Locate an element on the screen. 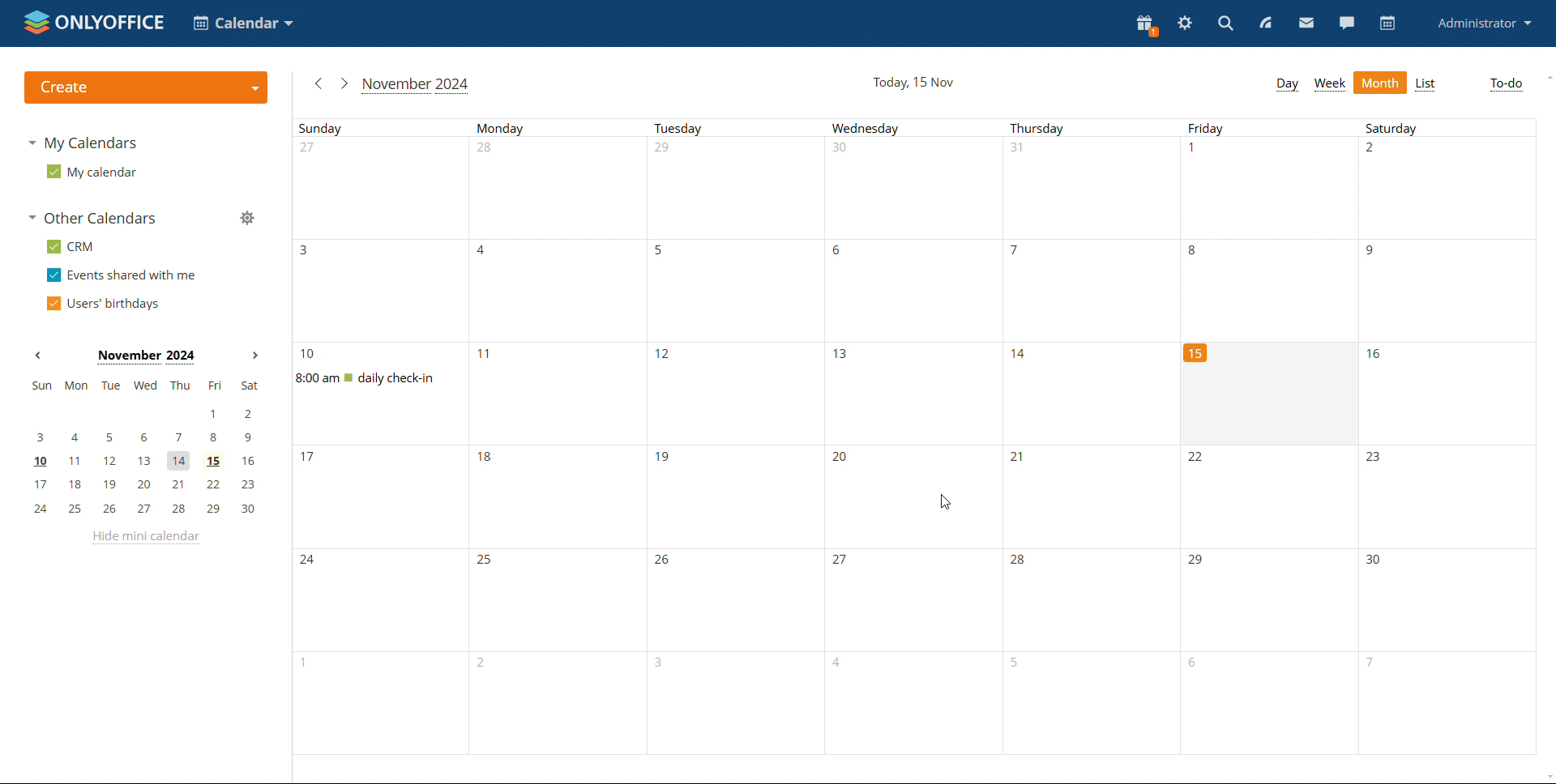  present is located at coordinates (1147, 25).